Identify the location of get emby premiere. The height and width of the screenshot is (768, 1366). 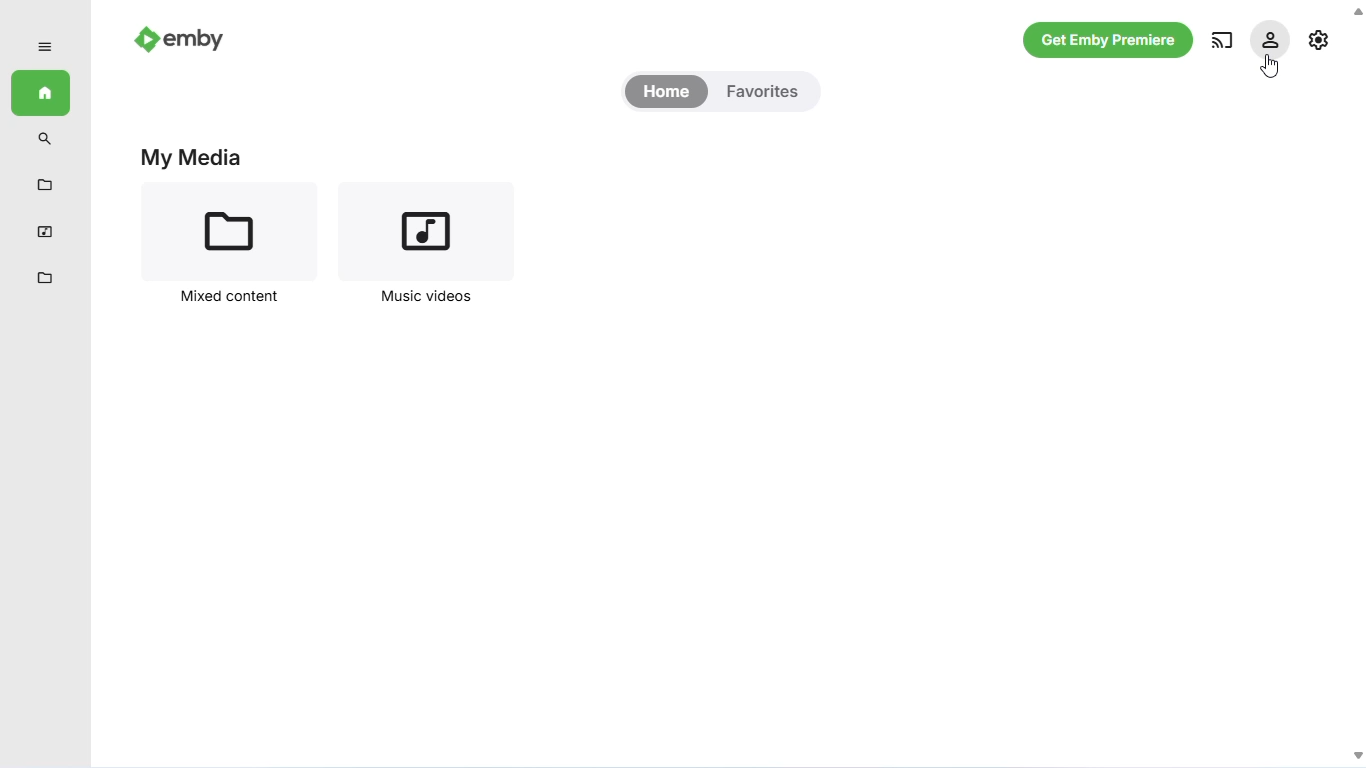
(1109, 41).